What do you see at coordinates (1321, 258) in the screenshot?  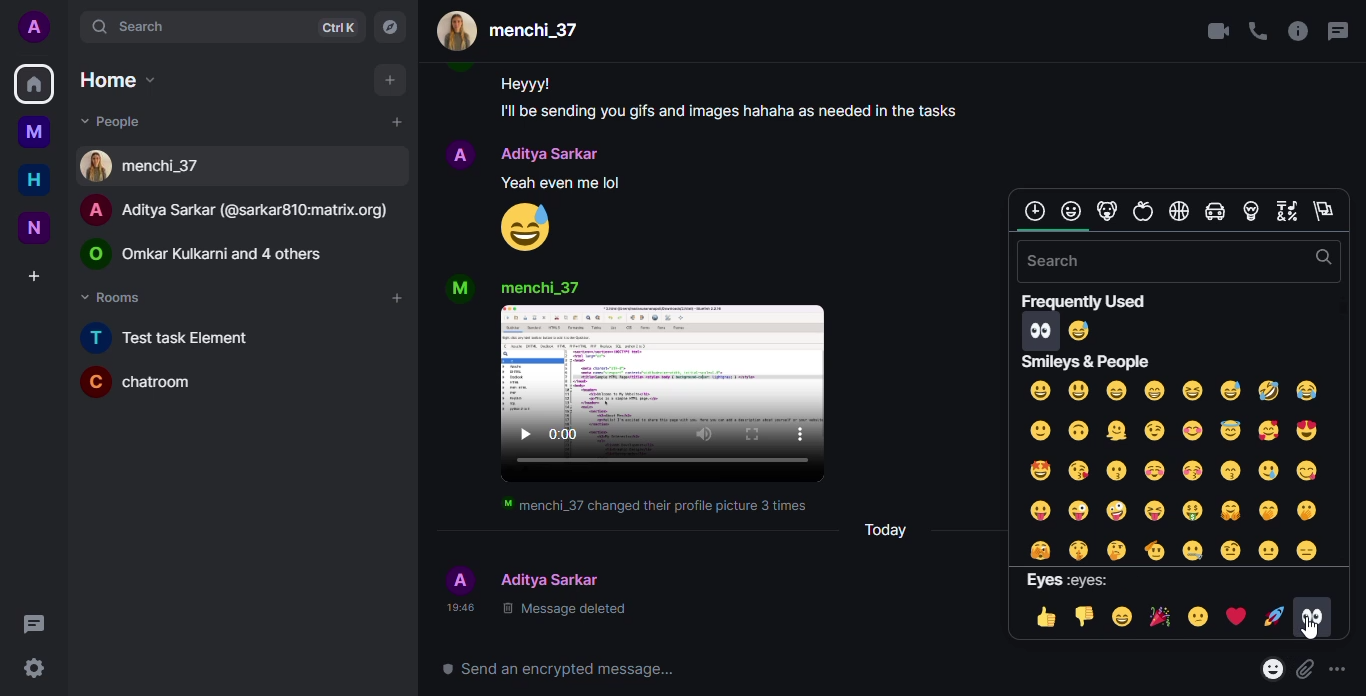 I see `search` at bounding box center [1321, 258].